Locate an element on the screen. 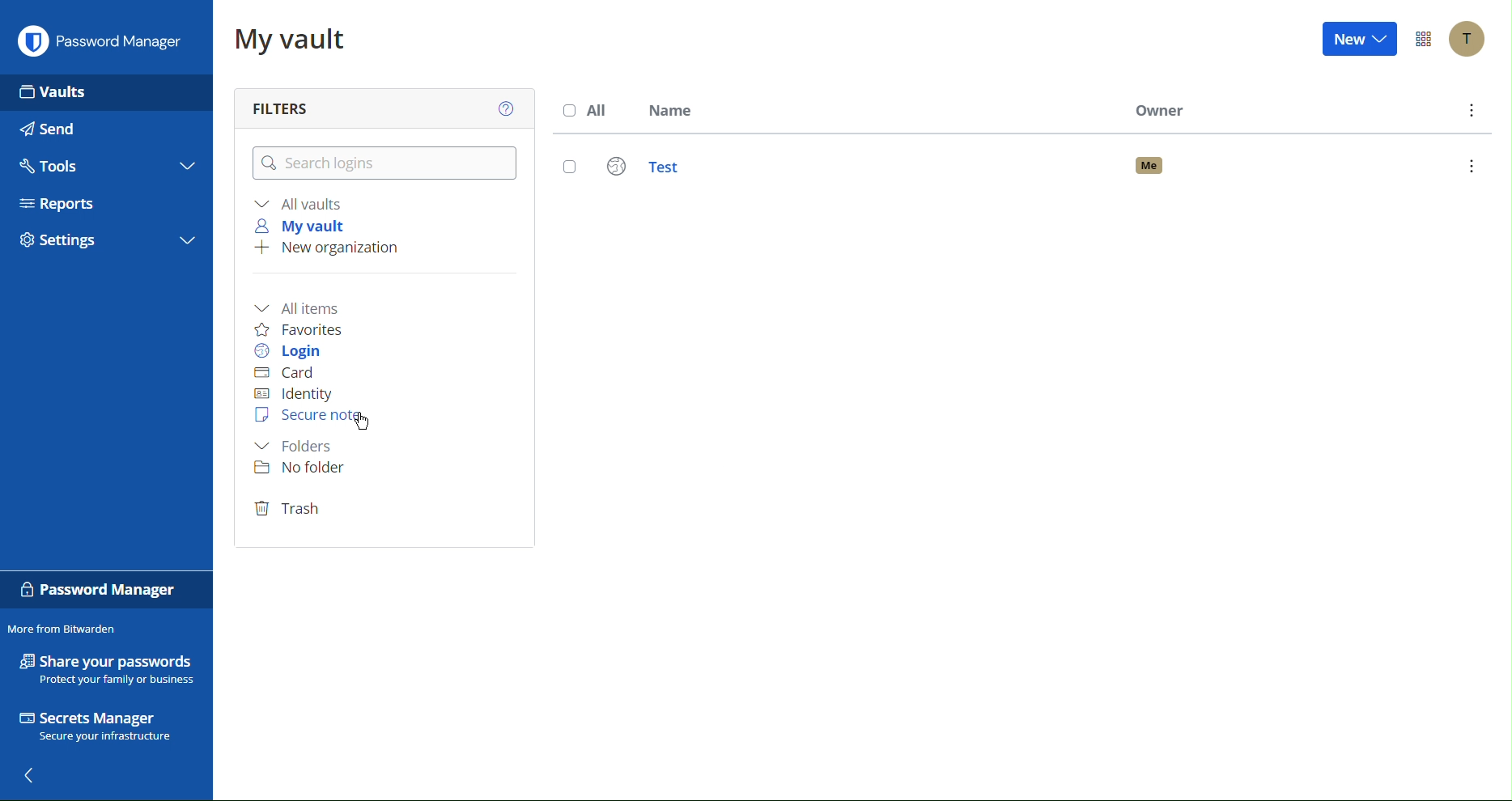 This screenshot has width=1512, height=801. My vault is located at coordinates (306, 227).